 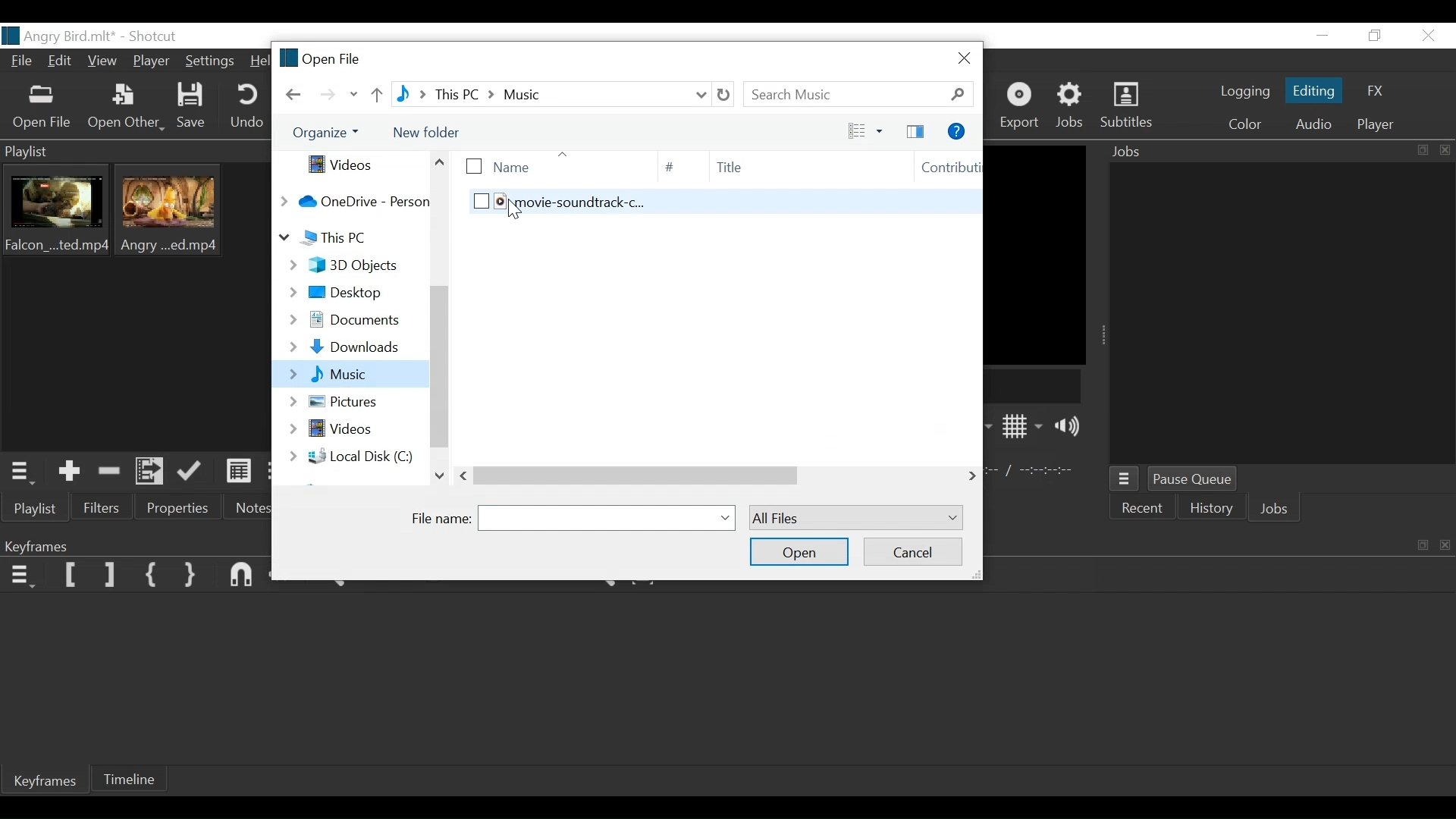 What do you see at coordinates (670, 167) in the screenshot?
I see `#` at bounding box center [670, 167].